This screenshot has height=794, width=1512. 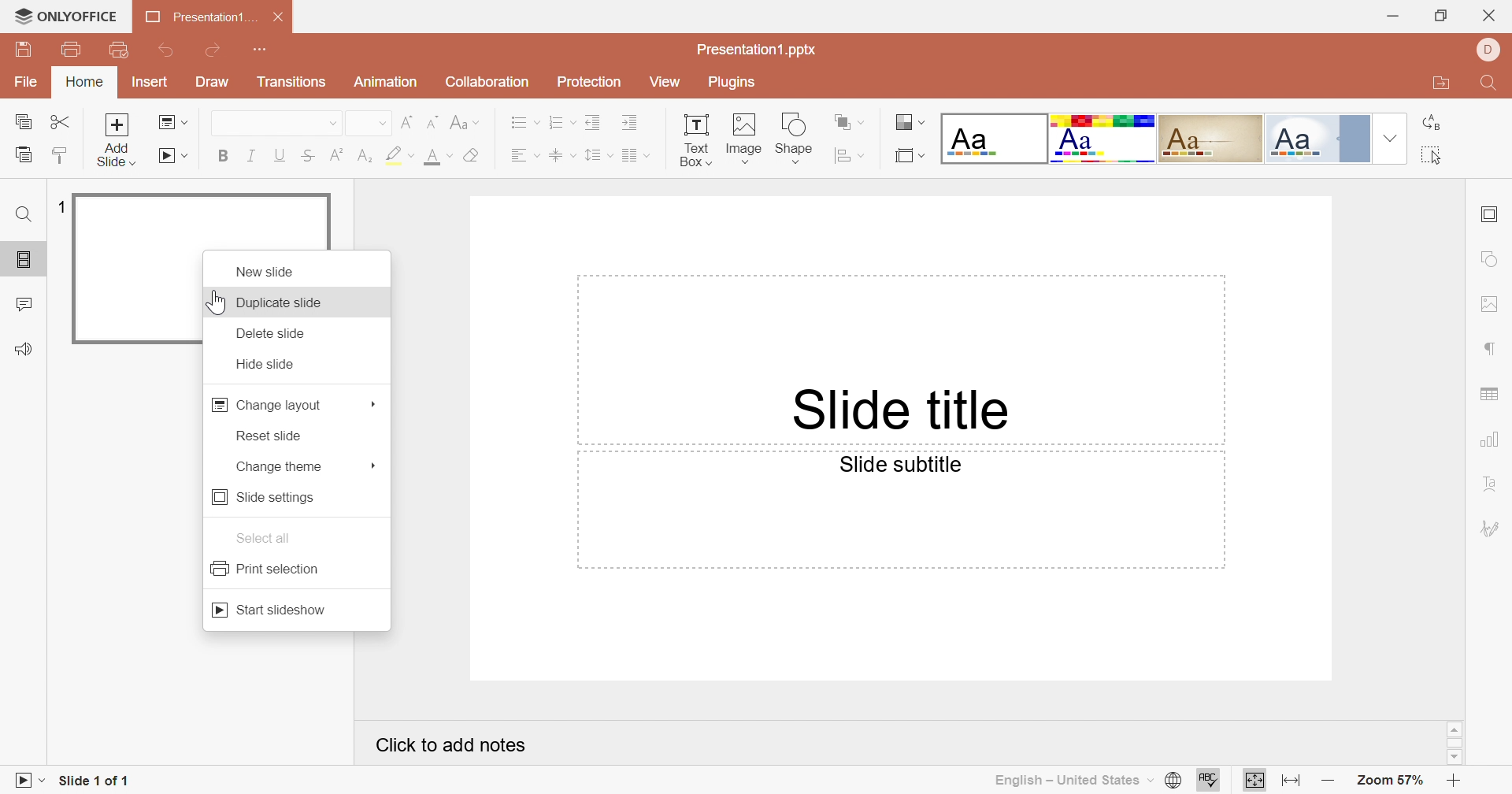 I want to click on Spell Checking, so click(x=1209, y=783).